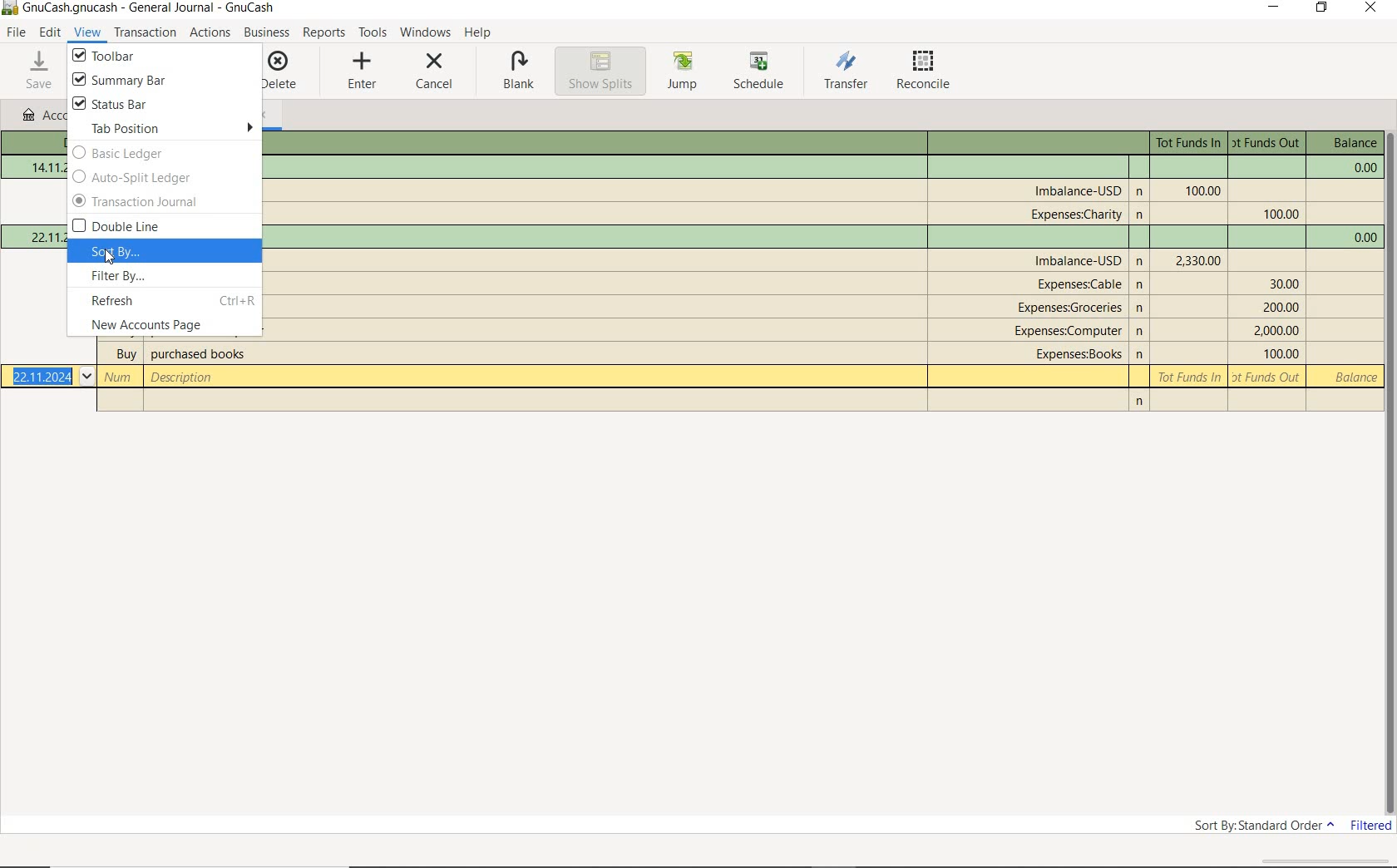 Image resolution: width=1397 pixels, height=868 pixels. Describe the element at coordinates (179, 300) in the screenshot. I see `refresh` at that location.